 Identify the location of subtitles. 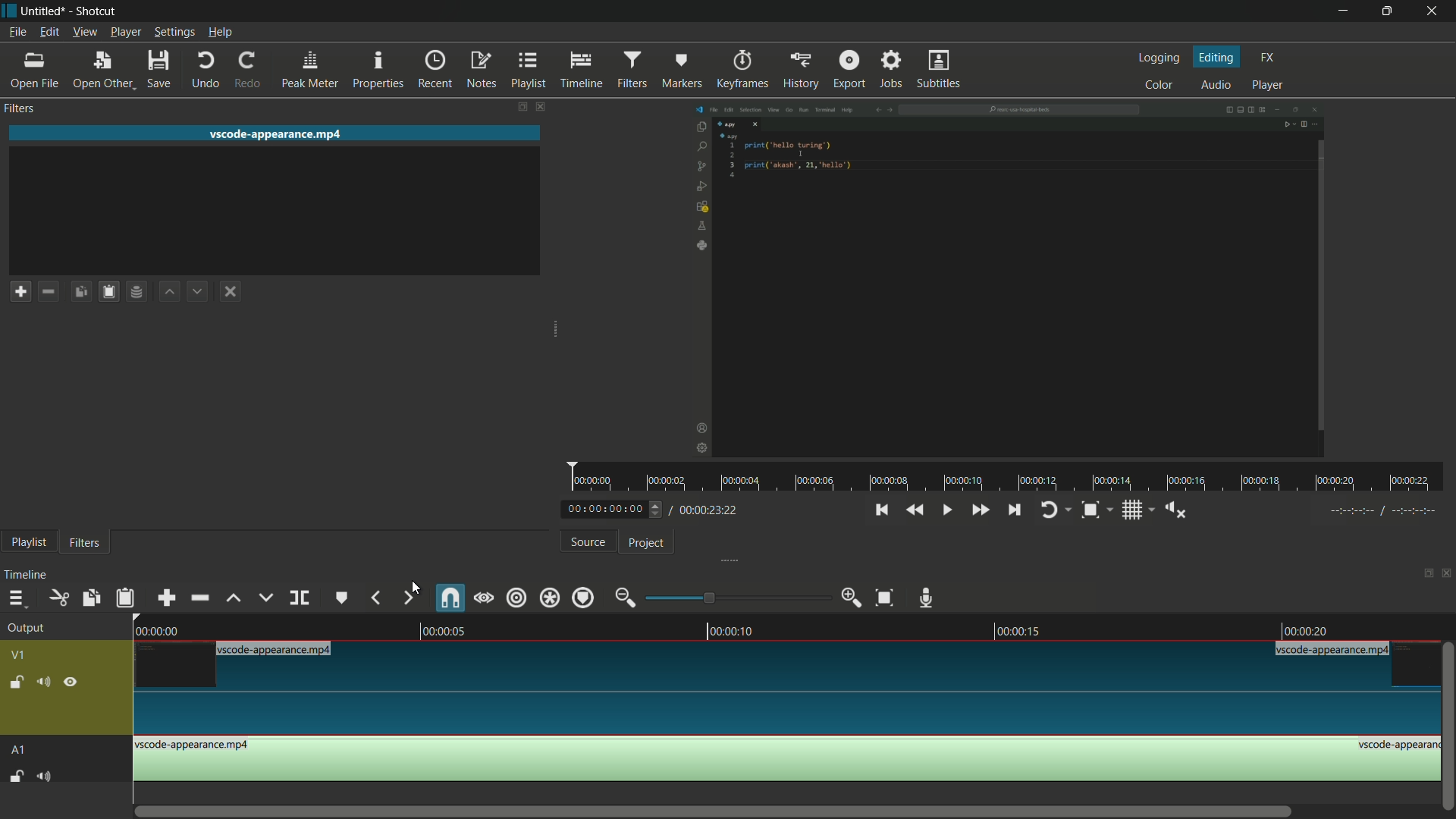
(940, 69).